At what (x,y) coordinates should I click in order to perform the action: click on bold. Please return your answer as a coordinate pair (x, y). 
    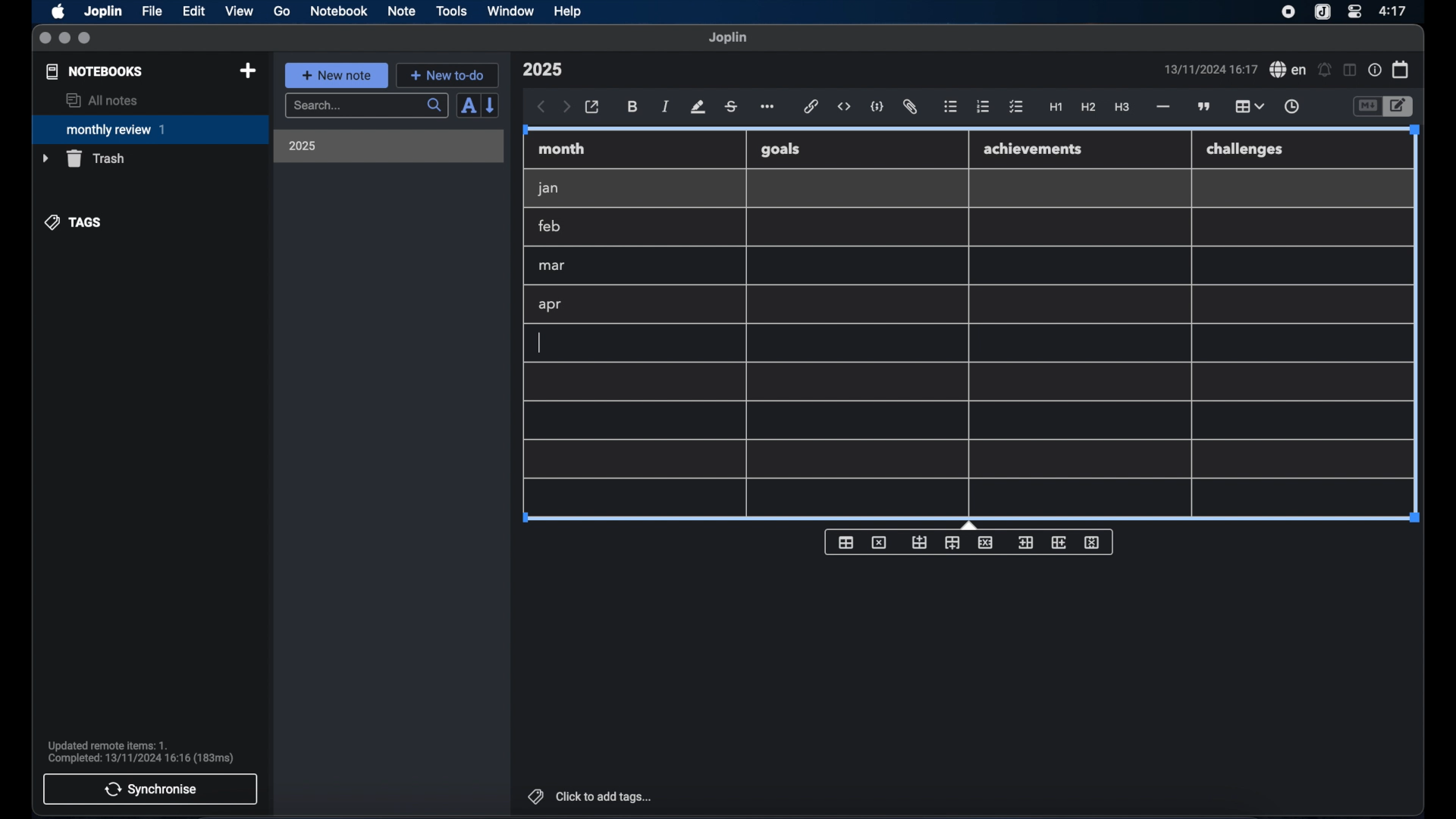
    Looking at the image, I should click on (634, 107).